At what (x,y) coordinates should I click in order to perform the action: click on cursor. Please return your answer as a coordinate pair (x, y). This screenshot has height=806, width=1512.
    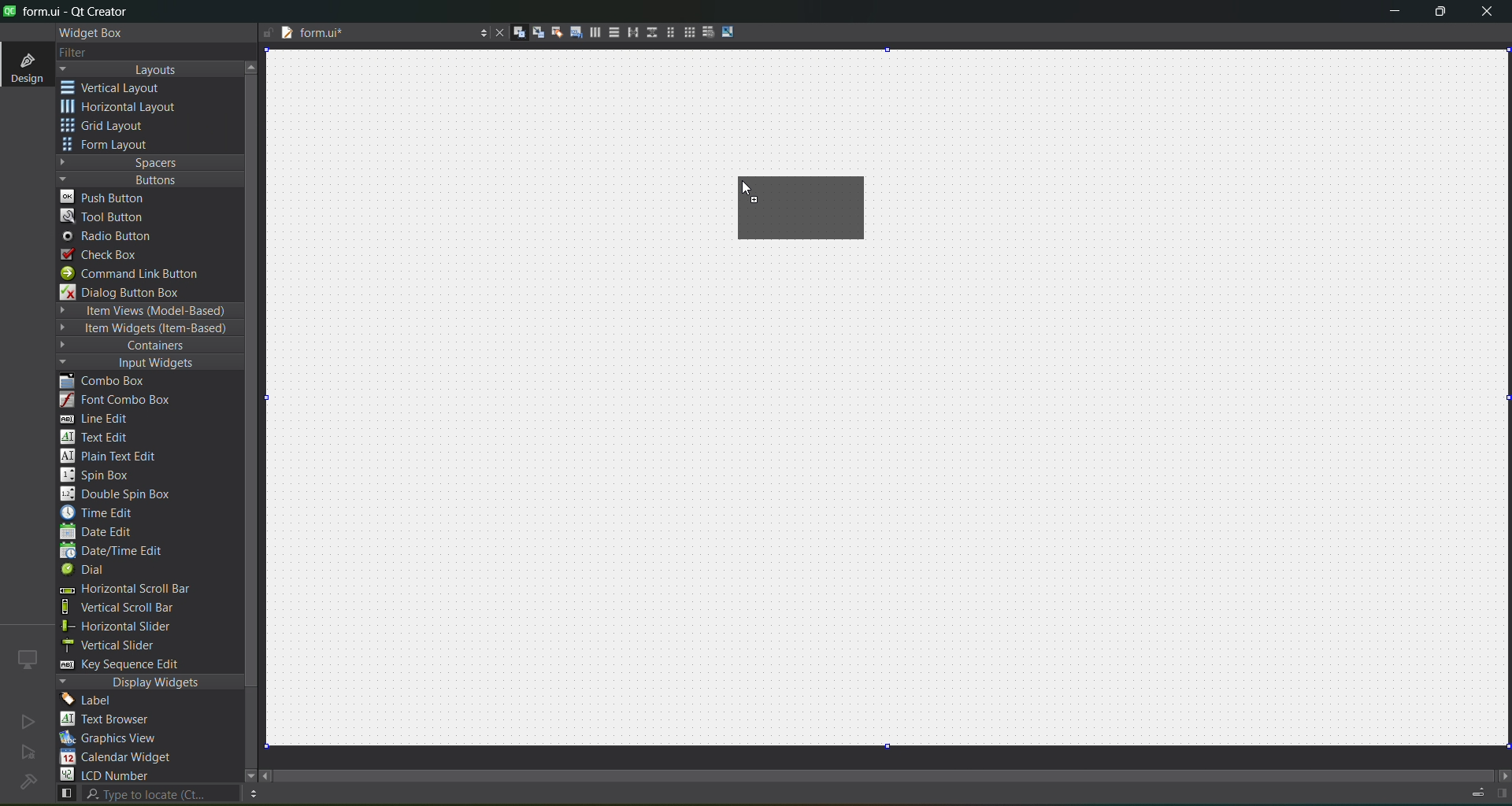
    Looking at the image, I should click on (742, 190).